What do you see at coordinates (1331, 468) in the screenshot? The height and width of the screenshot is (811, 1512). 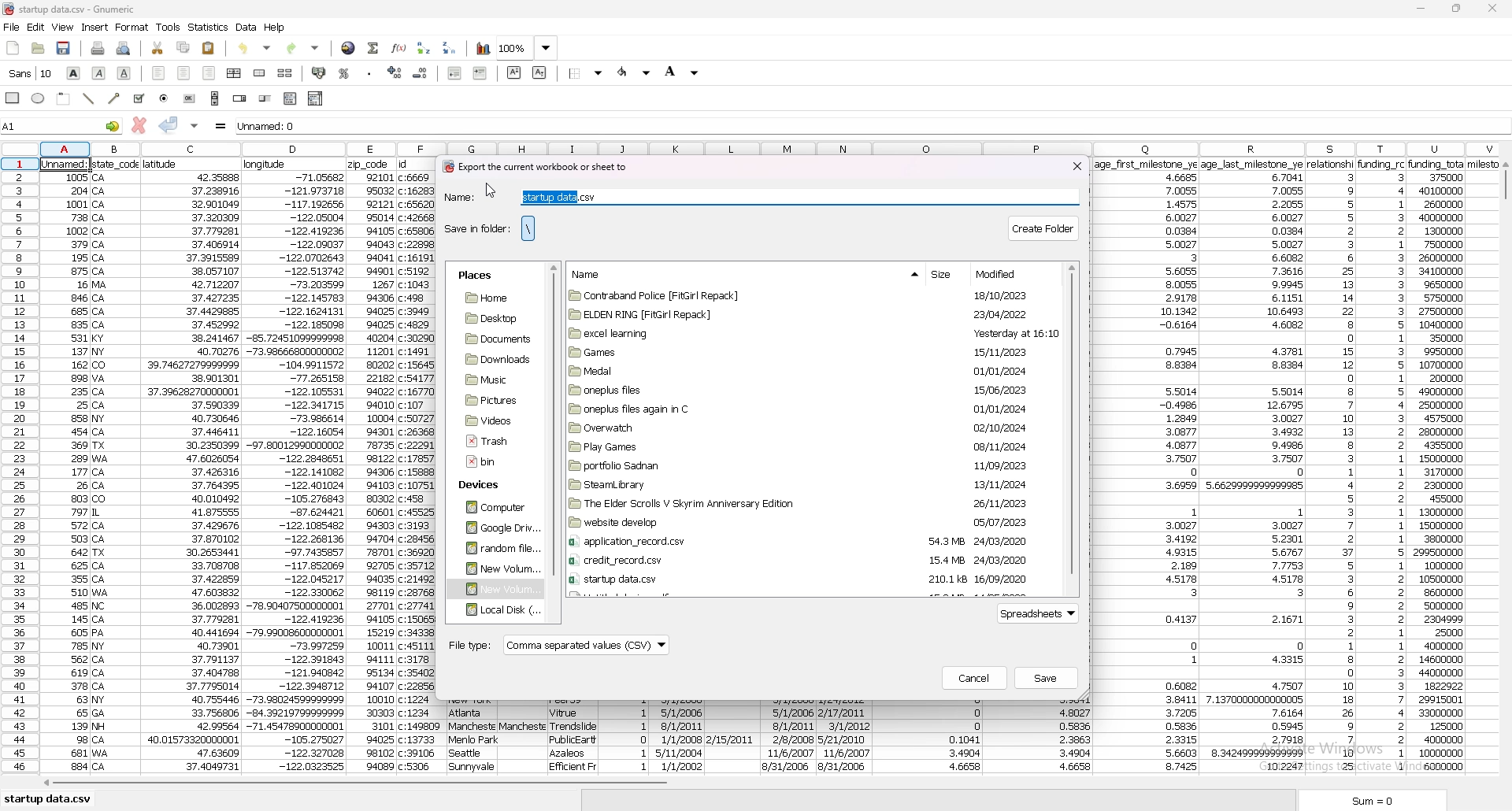 I see `data` at bounding box center [1331, 468].